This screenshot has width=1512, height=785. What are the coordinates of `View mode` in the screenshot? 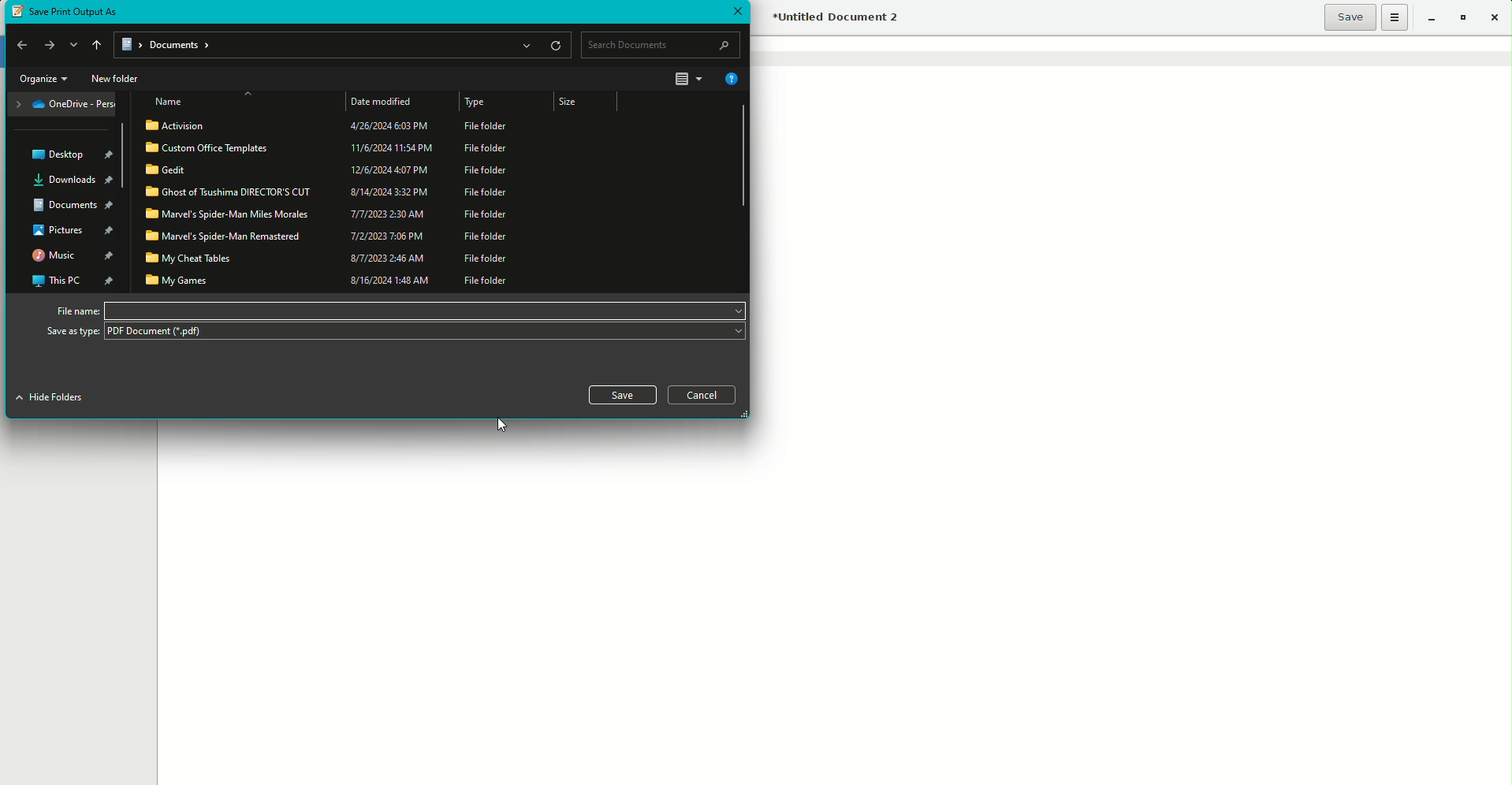 It's located at (689, 80).